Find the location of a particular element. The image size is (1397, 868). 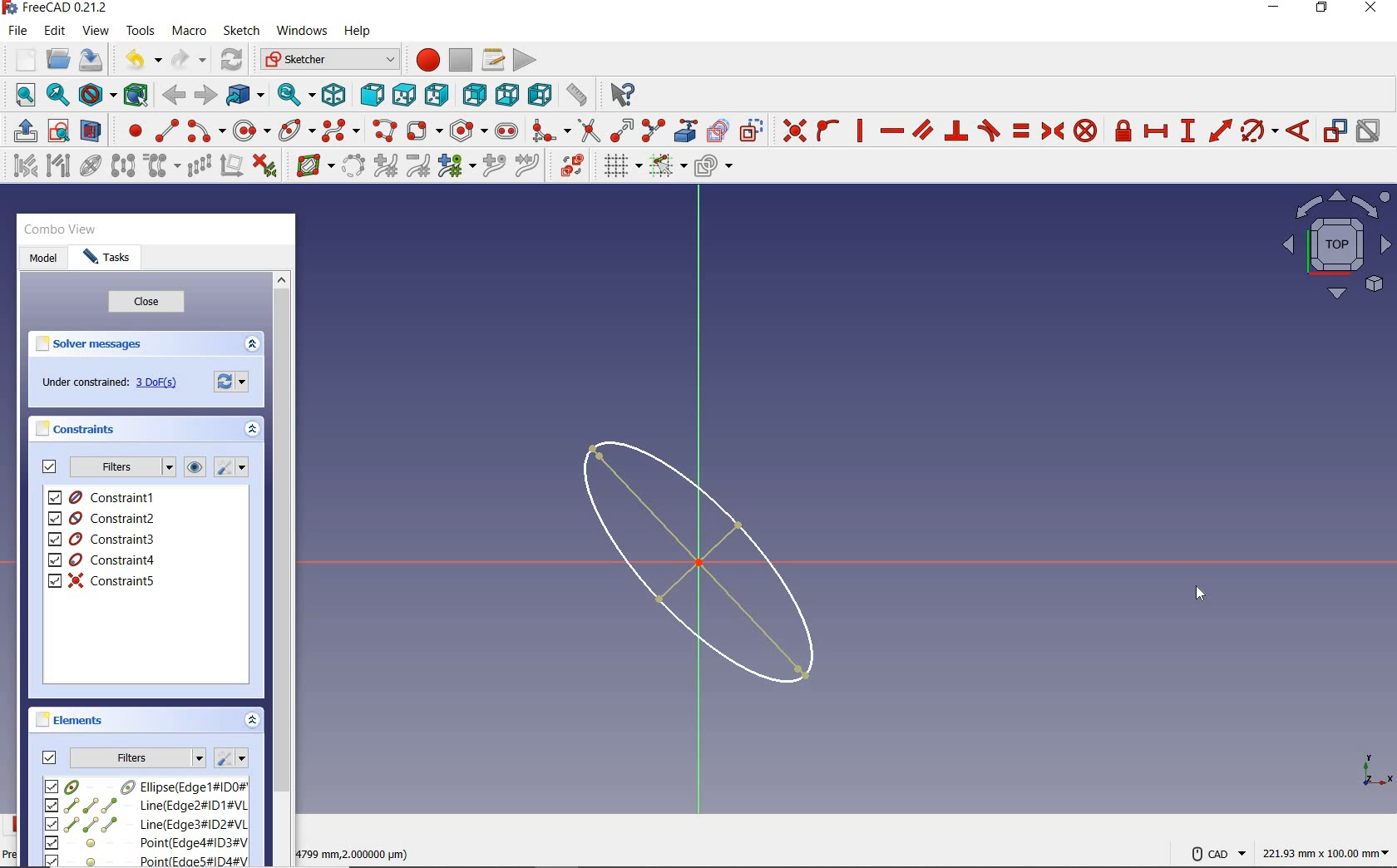

switch virtual space is located at coordinates (571, 165).